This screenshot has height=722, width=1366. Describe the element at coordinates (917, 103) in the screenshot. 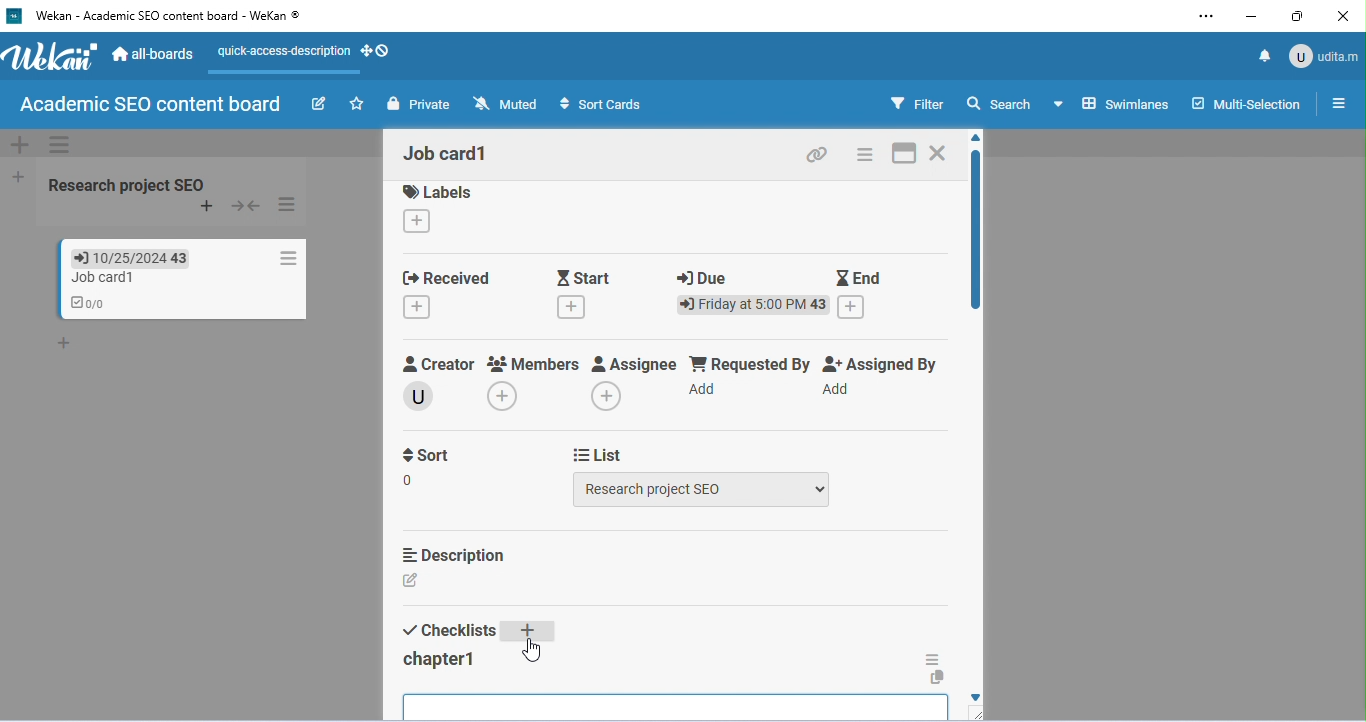

I see `filter` at that location.